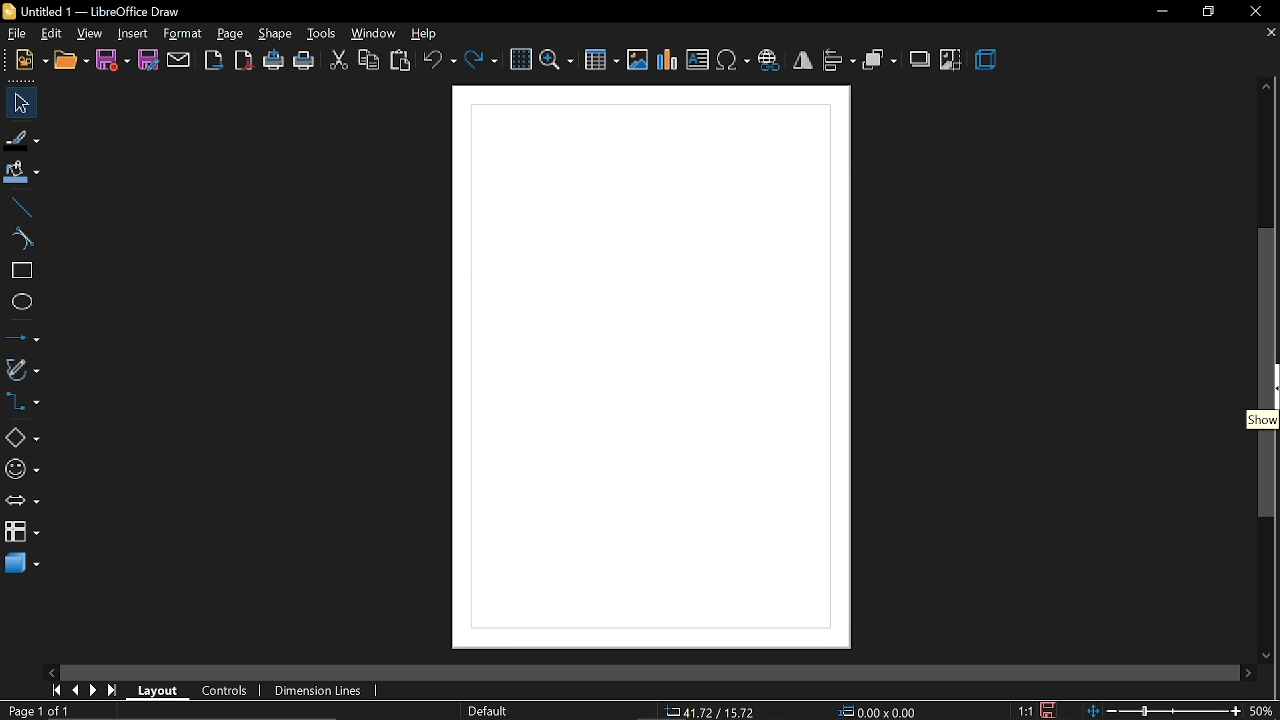  Describe the element at coordinates (989, 59) in the screenshot. I see `3d effects` at that location.